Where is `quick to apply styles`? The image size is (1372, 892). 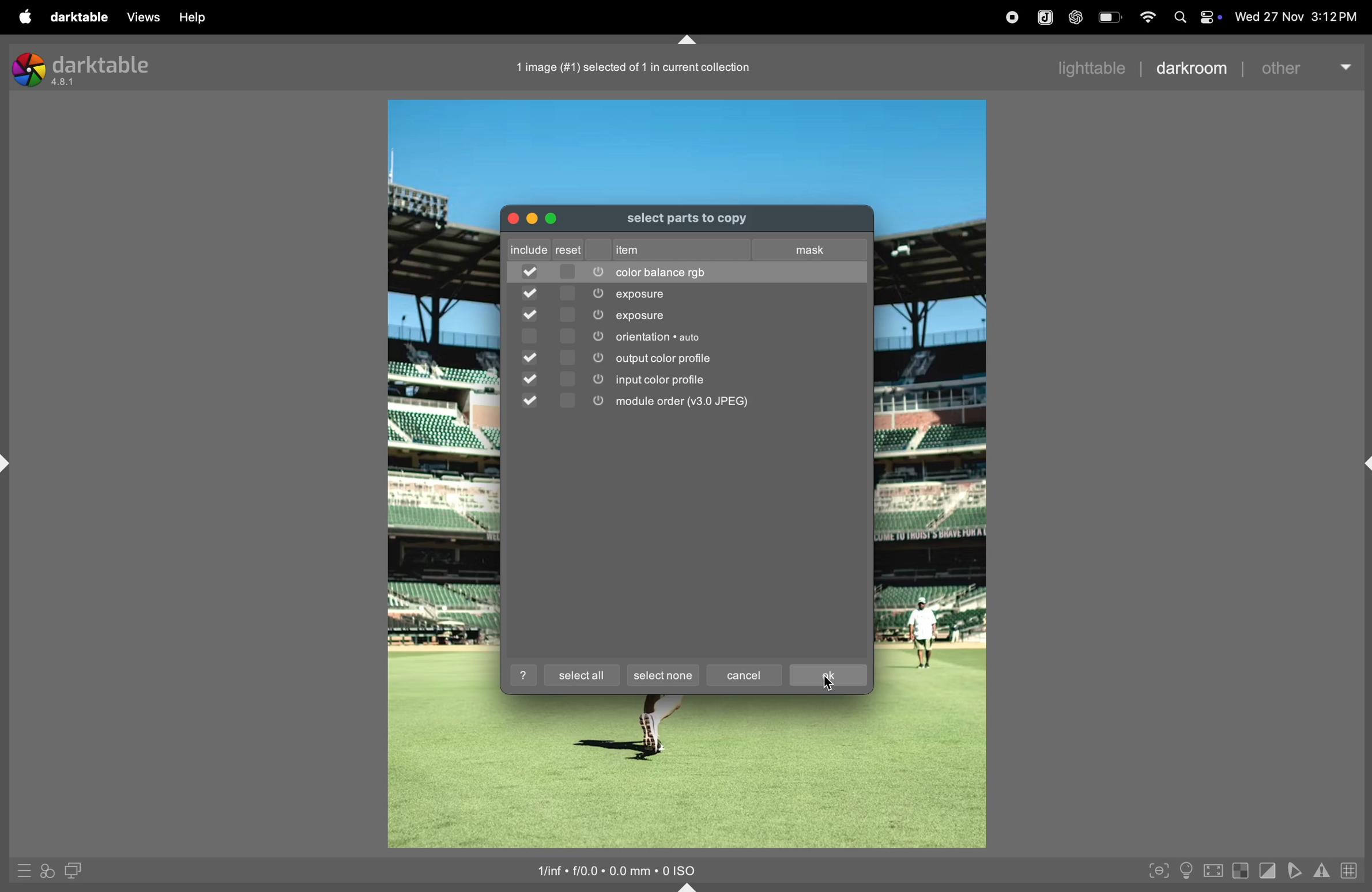 quick to apply styles is located at coordinates (47, 872).